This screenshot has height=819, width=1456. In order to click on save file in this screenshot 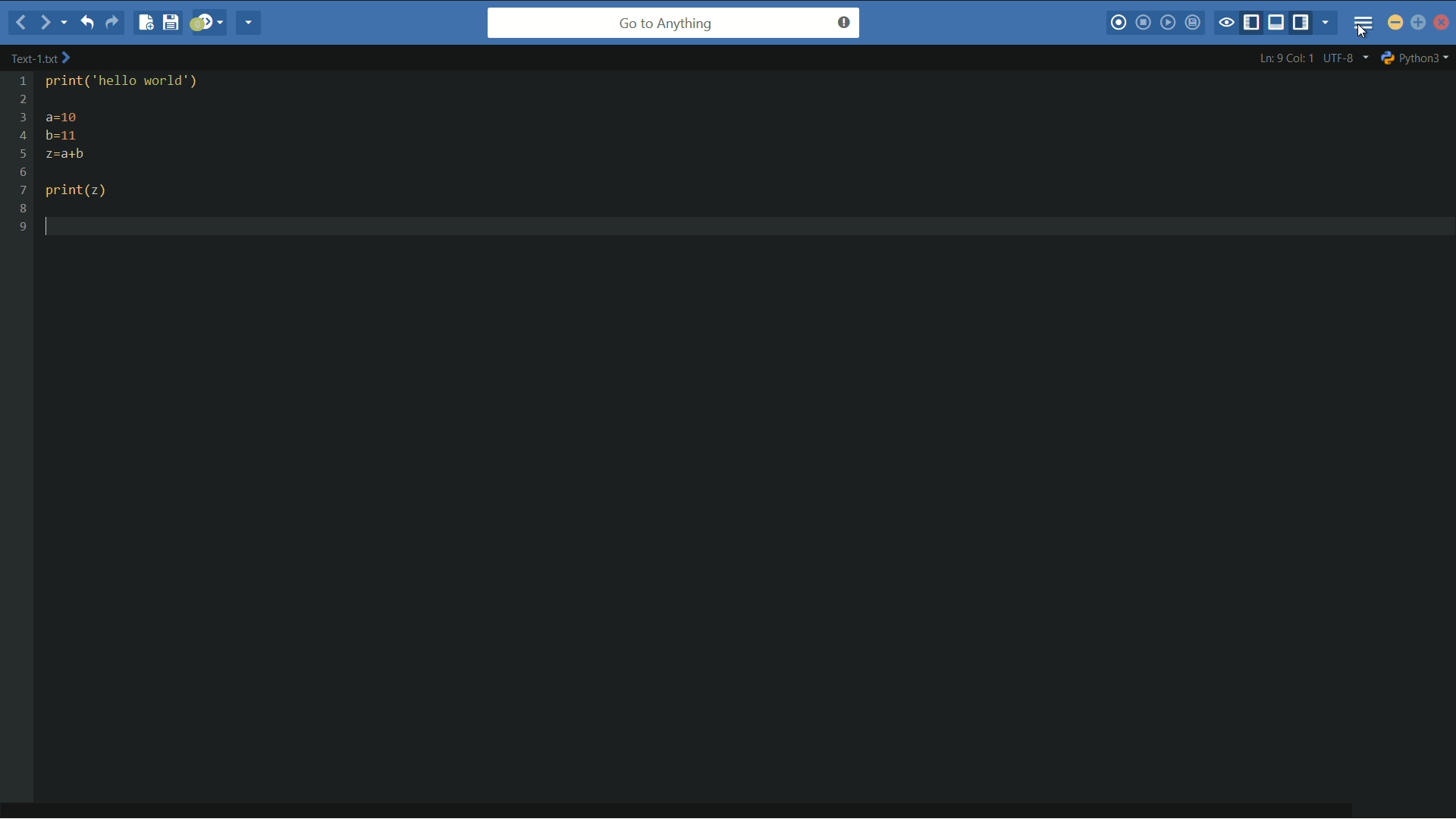, I will do `click(171, 23)`.